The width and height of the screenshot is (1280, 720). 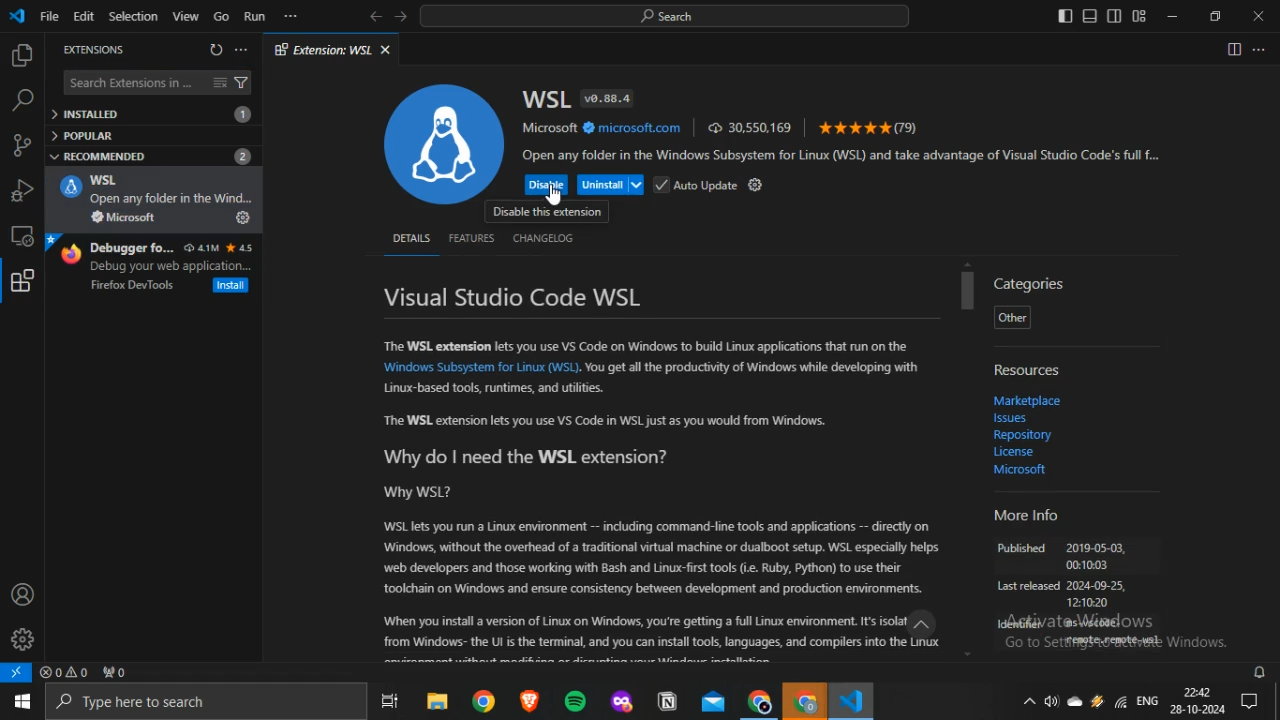 What do you see at coordinates (1011, 318) in the screenshot?
I see `Other` at bounding box center [1011, 318].